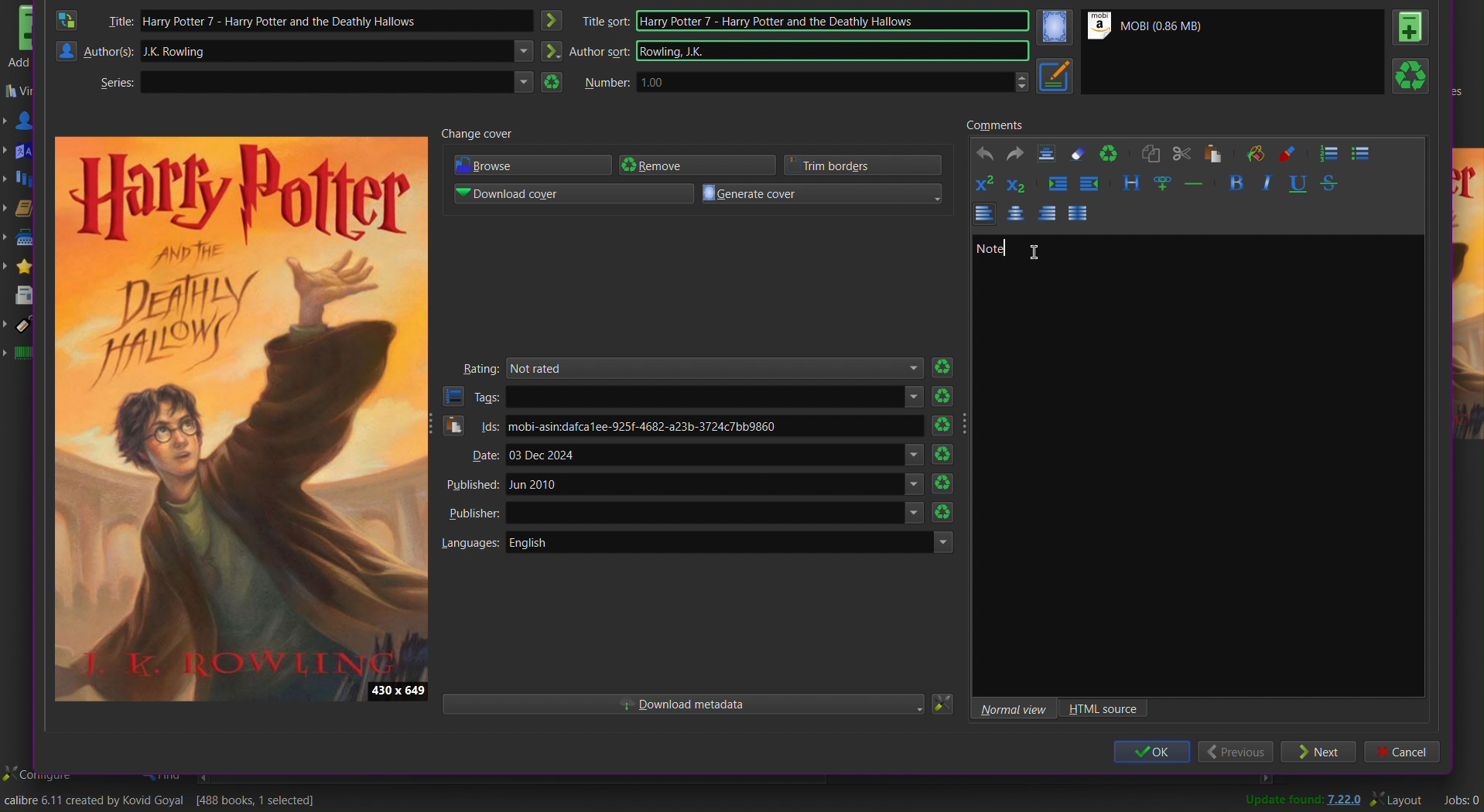  I want to click on Cover, so click(1055, 29).